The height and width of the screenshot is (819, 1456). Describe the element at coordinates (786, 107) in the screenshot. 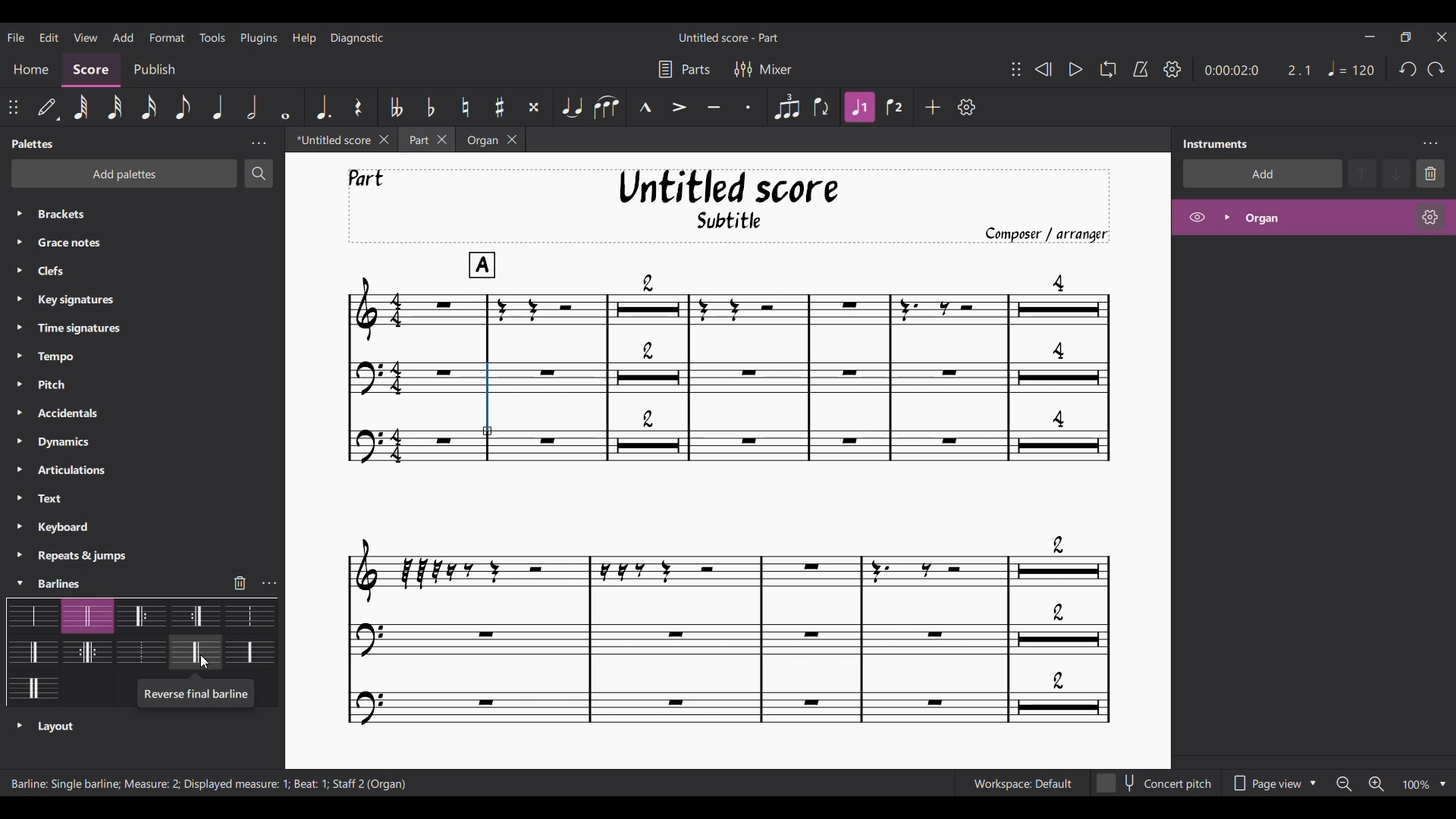

I see `Tuplet` at that location.